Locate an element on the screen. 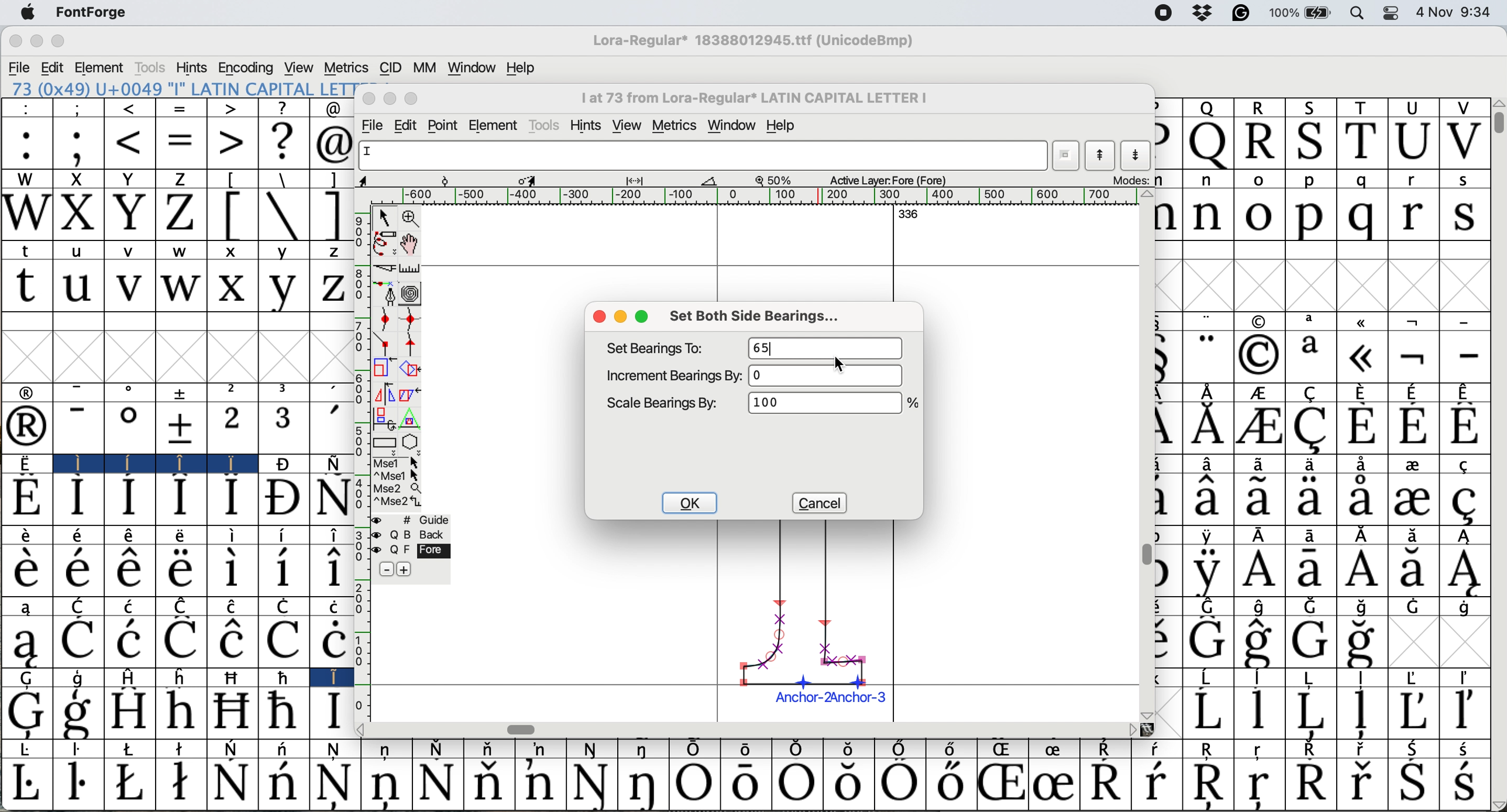 This screenshot has width=1507, height=812. system logo is located at coordinates (26, 12).